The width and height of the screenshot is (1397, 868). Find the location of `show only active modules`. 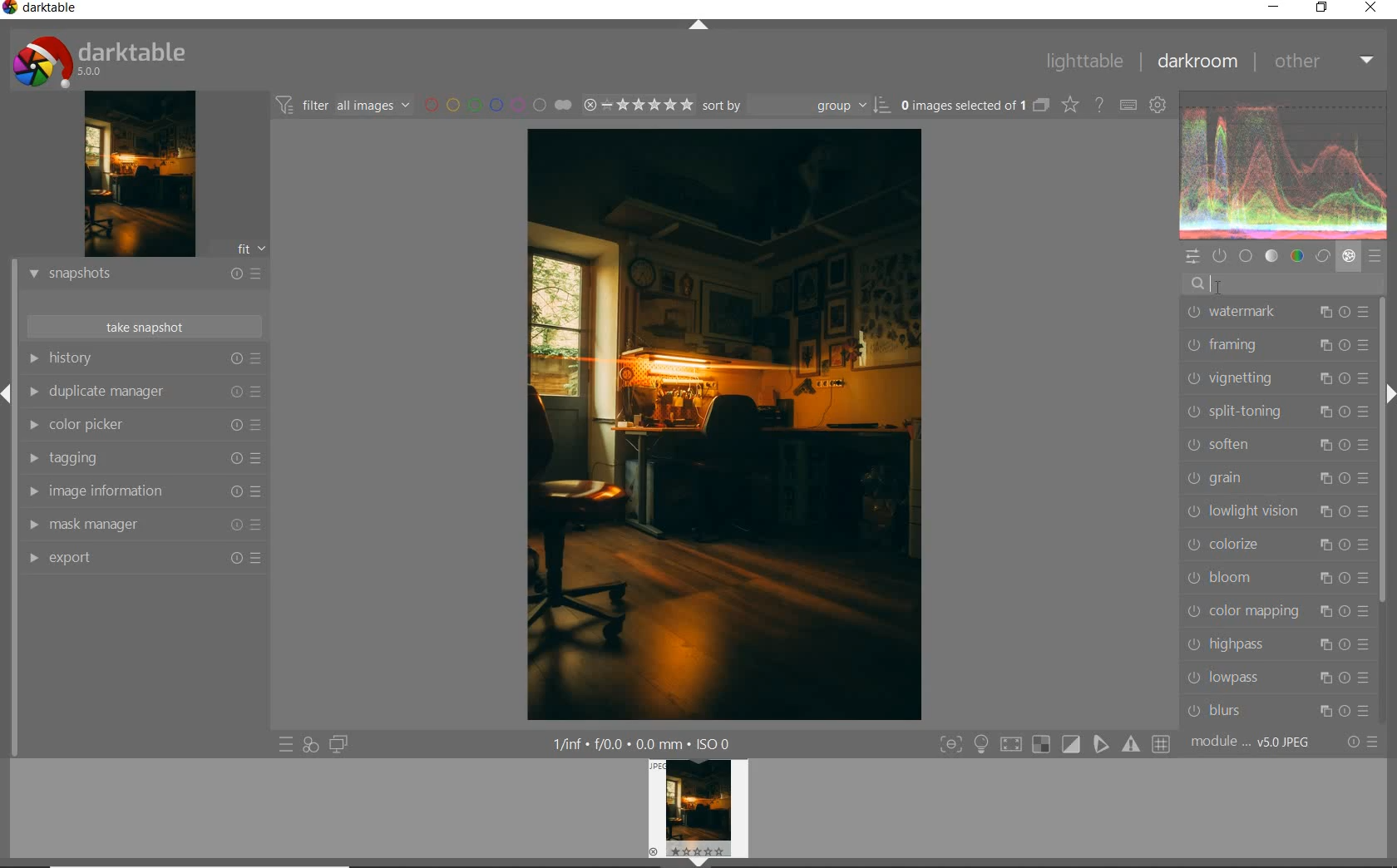

show only active modules is located at coordinates (1219, 255).